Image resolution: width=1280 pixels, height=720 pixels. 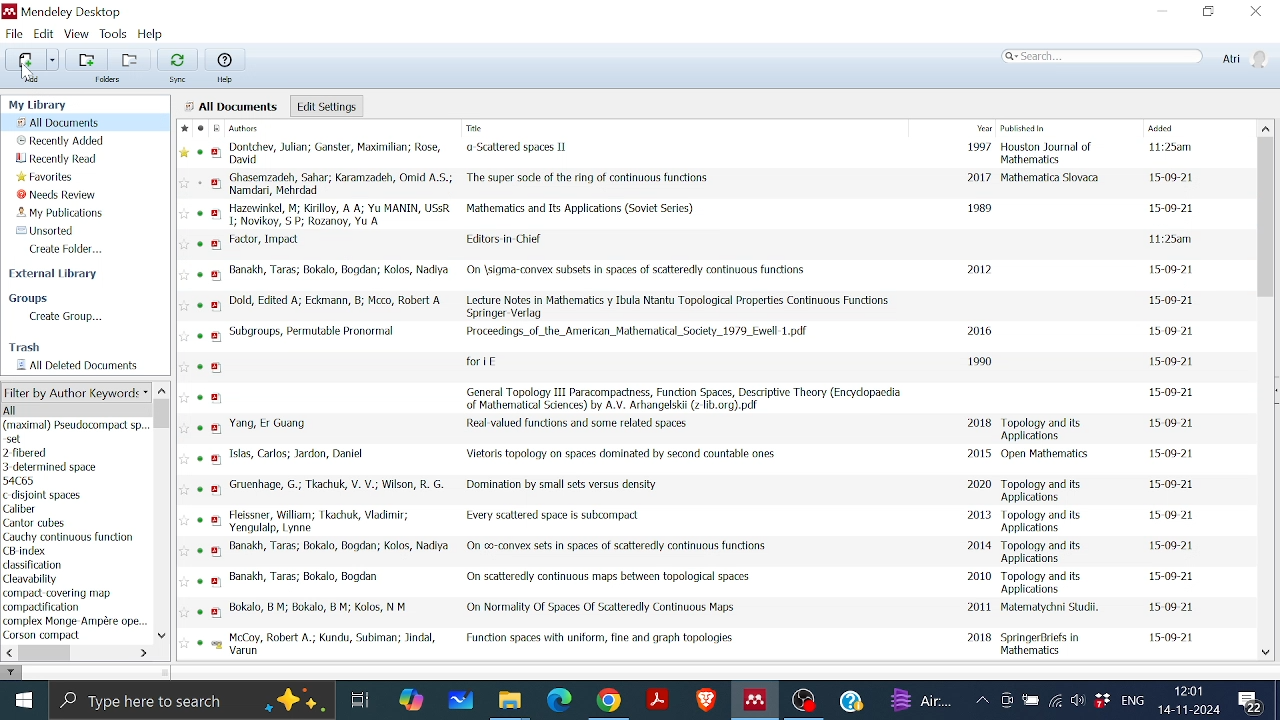 What do you see at coordinates (186, 552) in the screenshot?
I see `favourite` at bounding box center [186, 552].